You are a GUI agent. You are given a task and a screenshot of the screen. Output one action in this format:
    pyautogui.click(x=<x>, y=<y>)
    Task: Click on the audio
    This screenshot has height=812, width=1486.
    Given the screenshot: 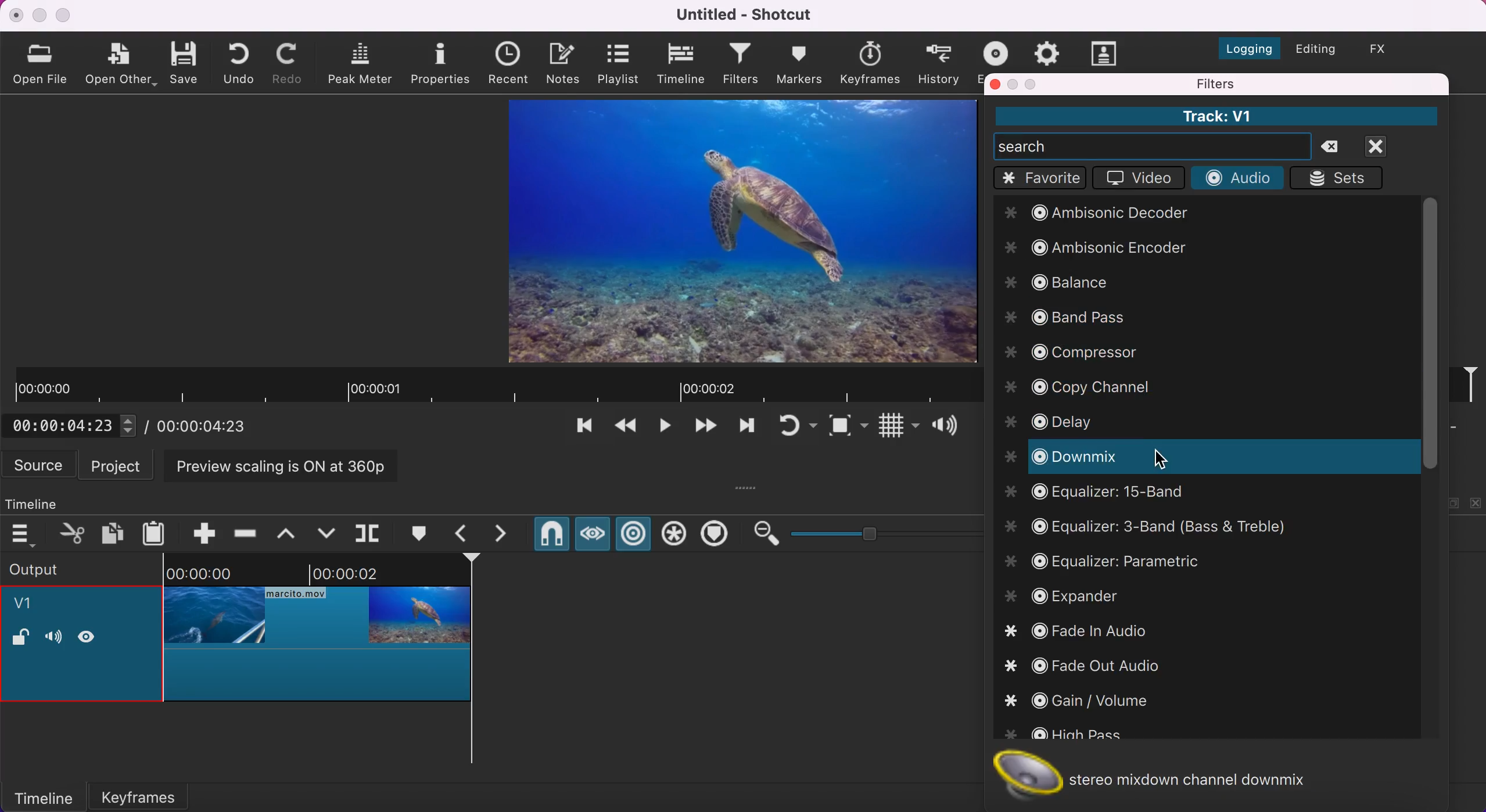 What is the action you would take?
    pyautogui.click(x=1236, y=178)
    